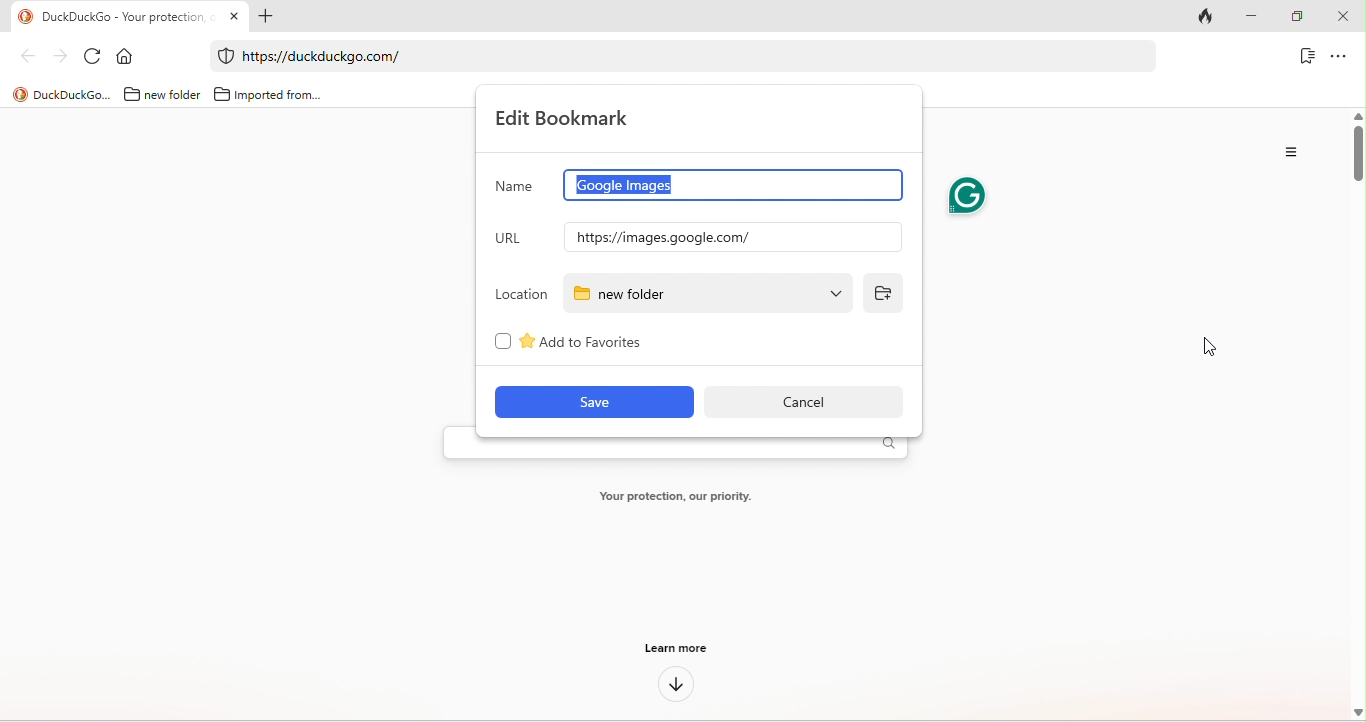  I want to click on your protection, our priority, so click(674, 498).